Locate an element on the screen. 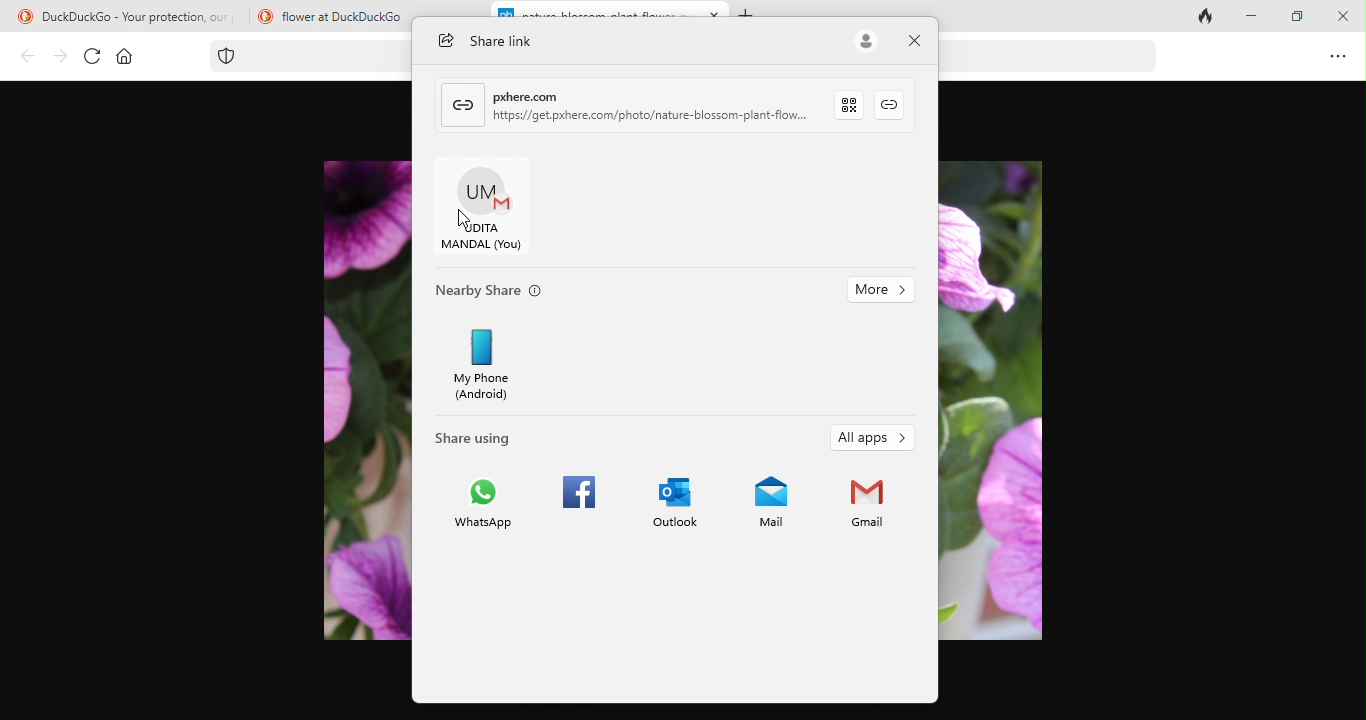 This screenshot has width=1366, height=720. close is located at coordinates (917, 41).